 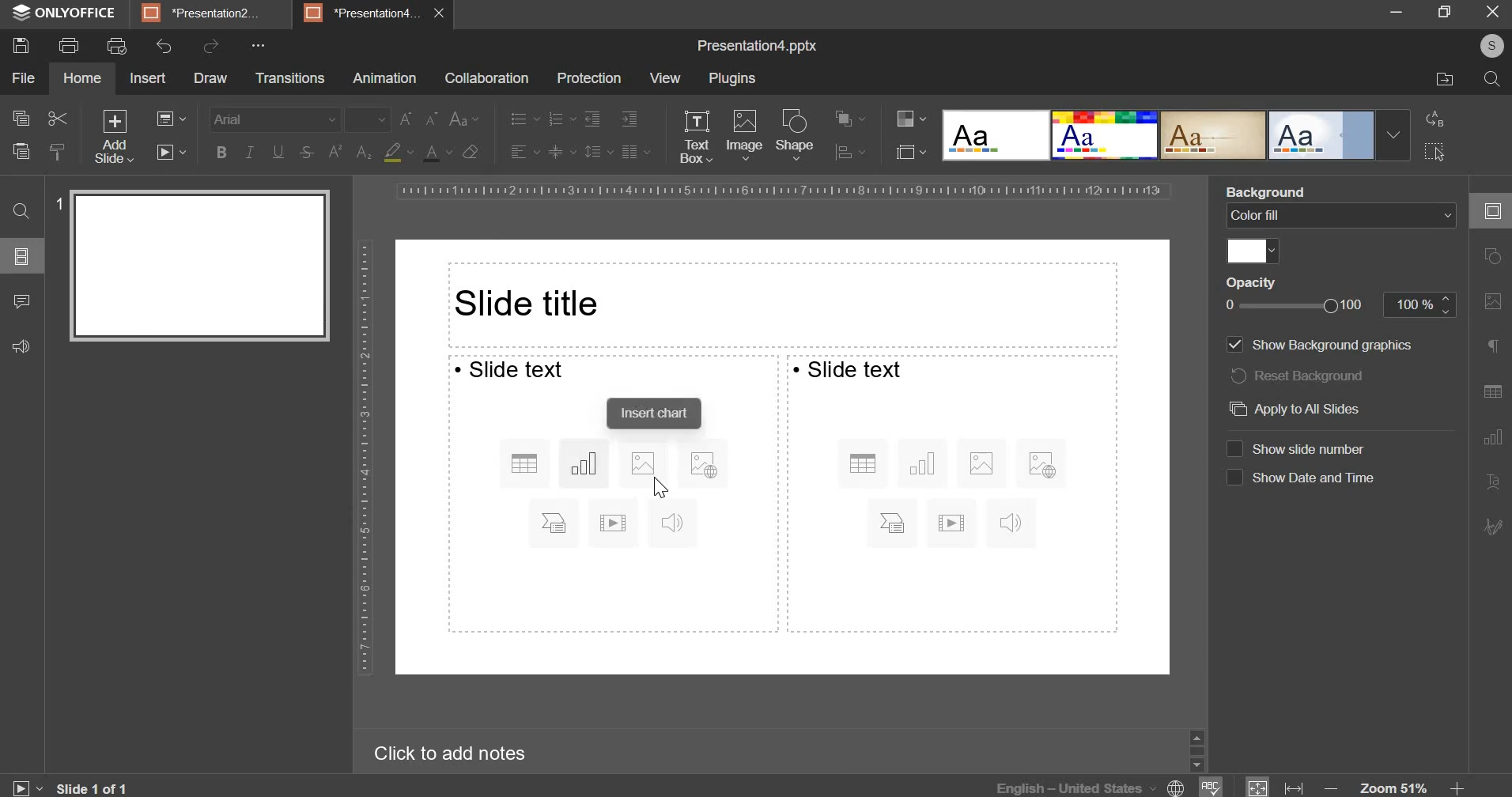 I want to click on file, so click(x=22, y=78).